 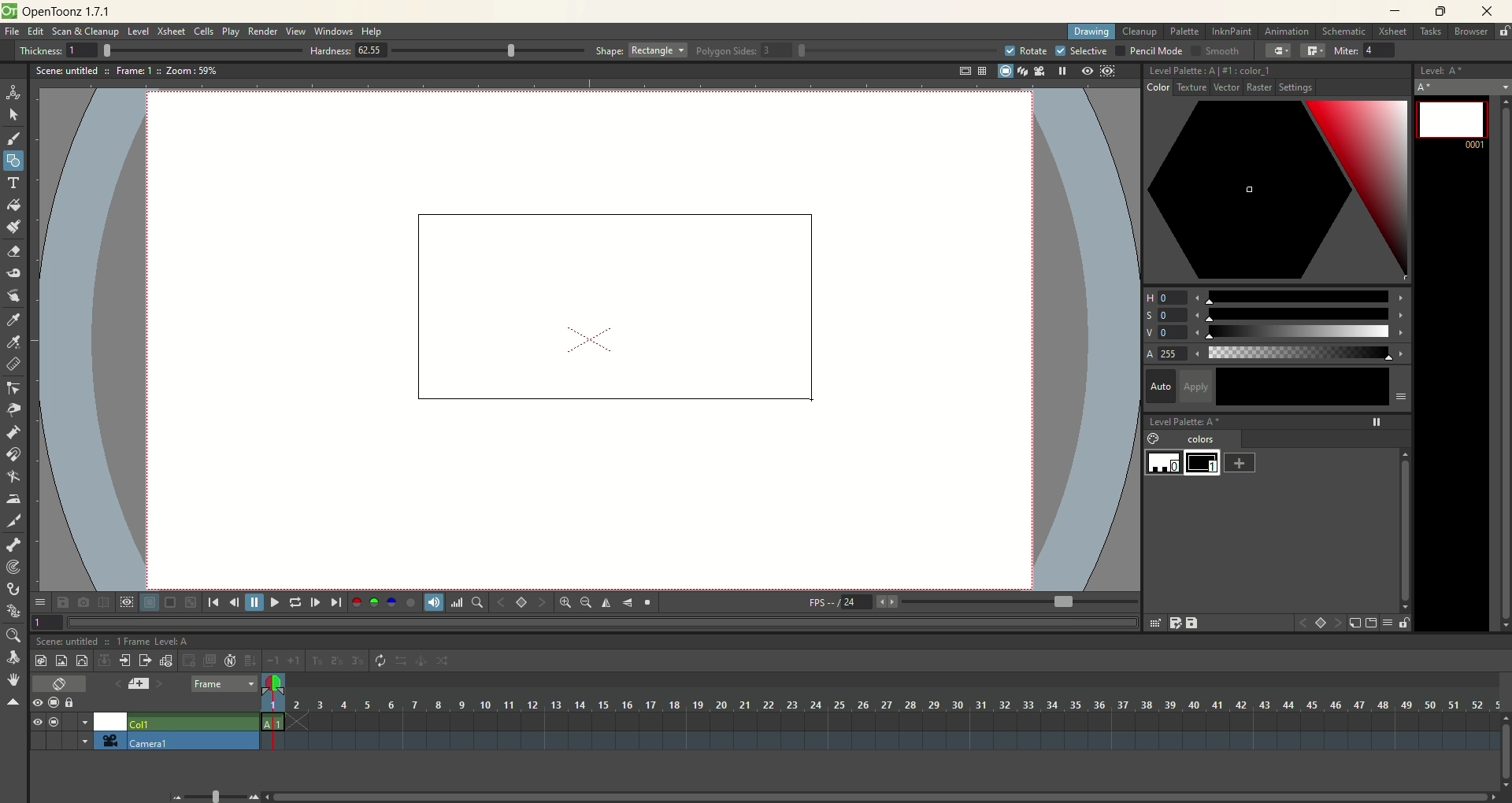 I want to click on X sheet, so click(x=172, y=31).